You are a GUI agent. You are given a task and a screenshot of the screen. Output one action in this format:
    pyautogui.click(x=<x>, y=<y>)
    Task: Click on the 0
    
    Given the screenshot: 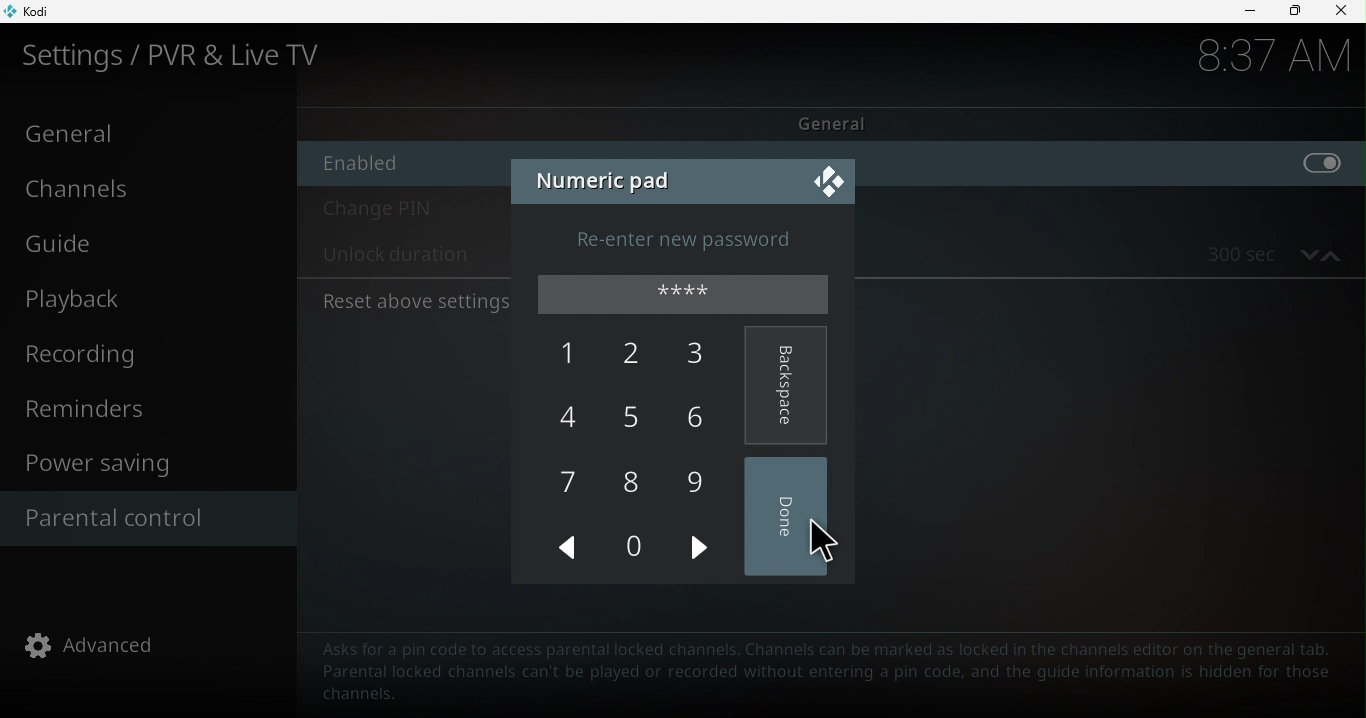 What is the action you would take?
    pyautogui.click(x=646, y=550)
    